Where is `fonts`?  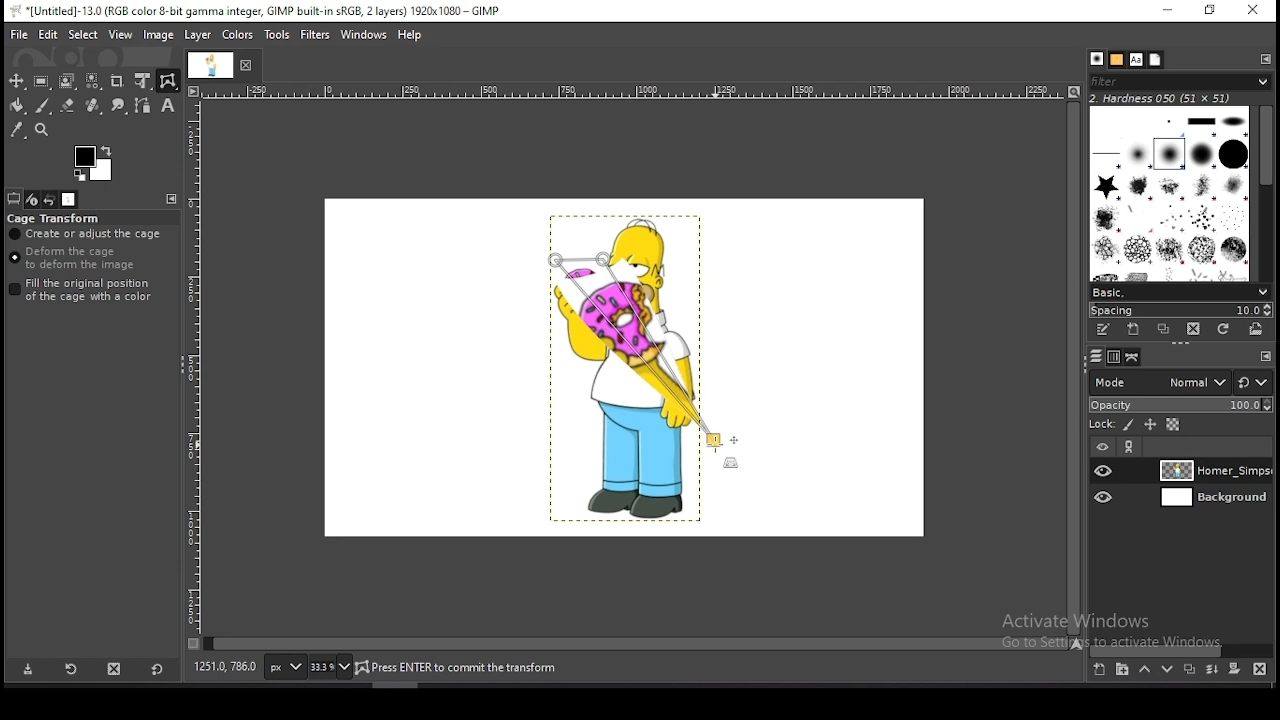
fonts is located at coordinates (1135, 59).